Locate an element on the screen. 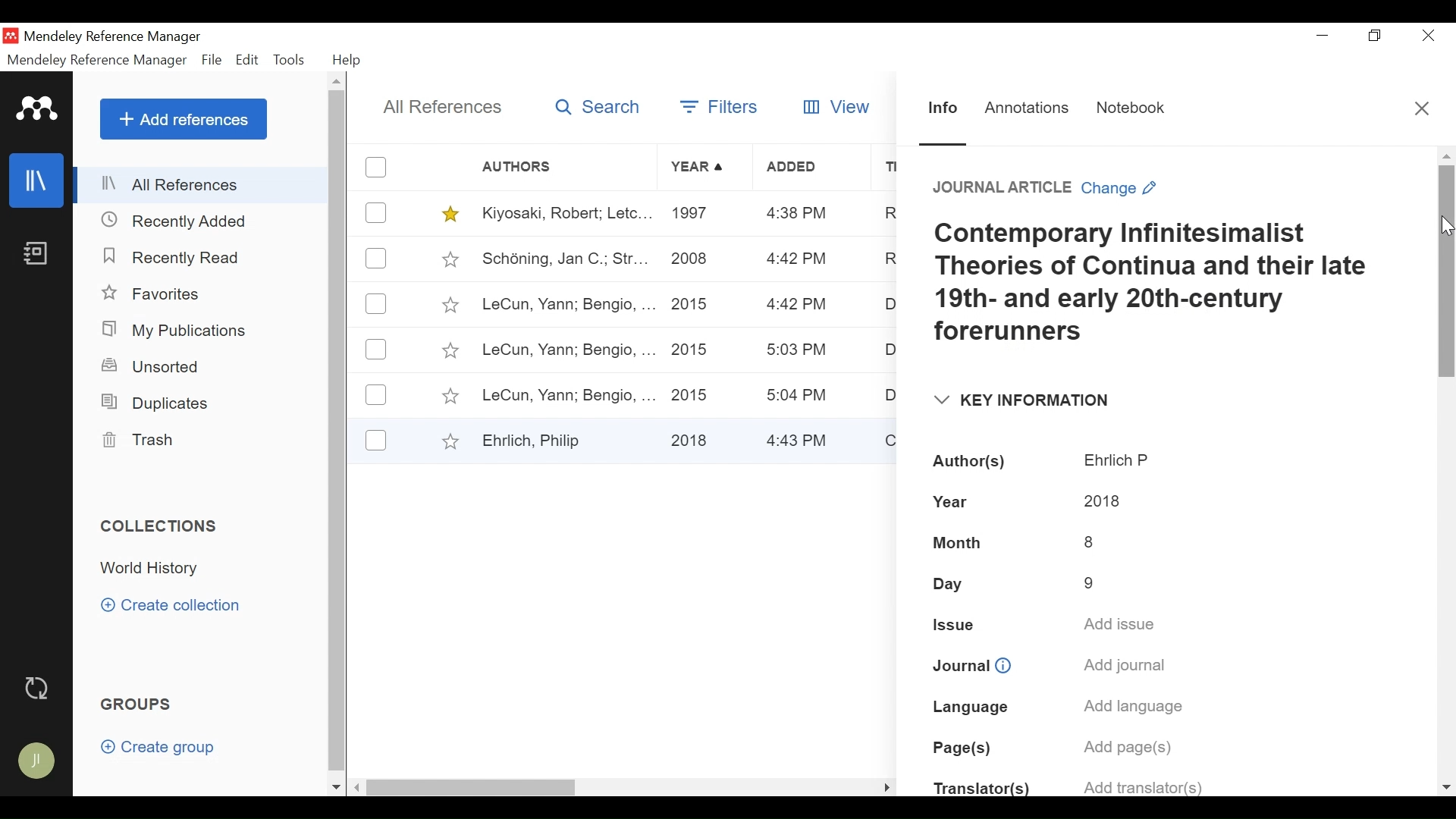 Image resolution: width=1456 pixels, height=819 pixels. Filter is located at coordinates (722, 109).